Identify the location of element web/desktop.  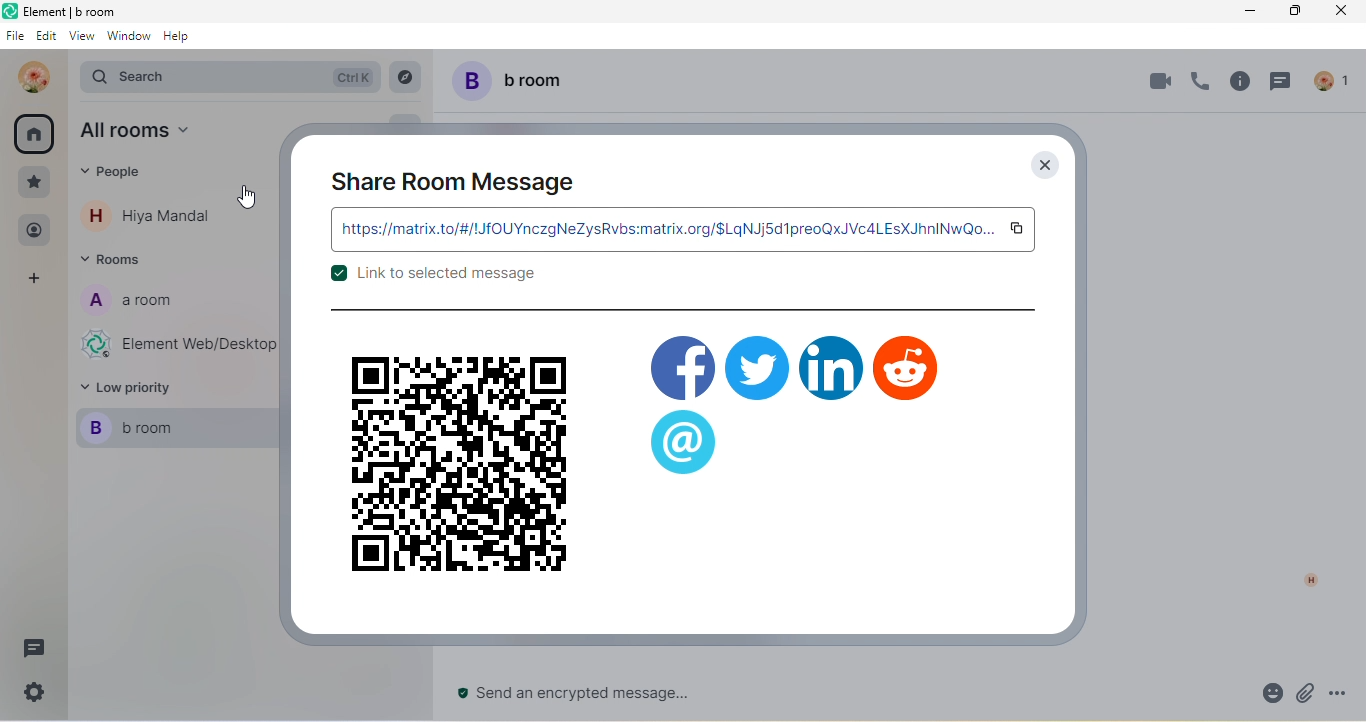
(177, 346).